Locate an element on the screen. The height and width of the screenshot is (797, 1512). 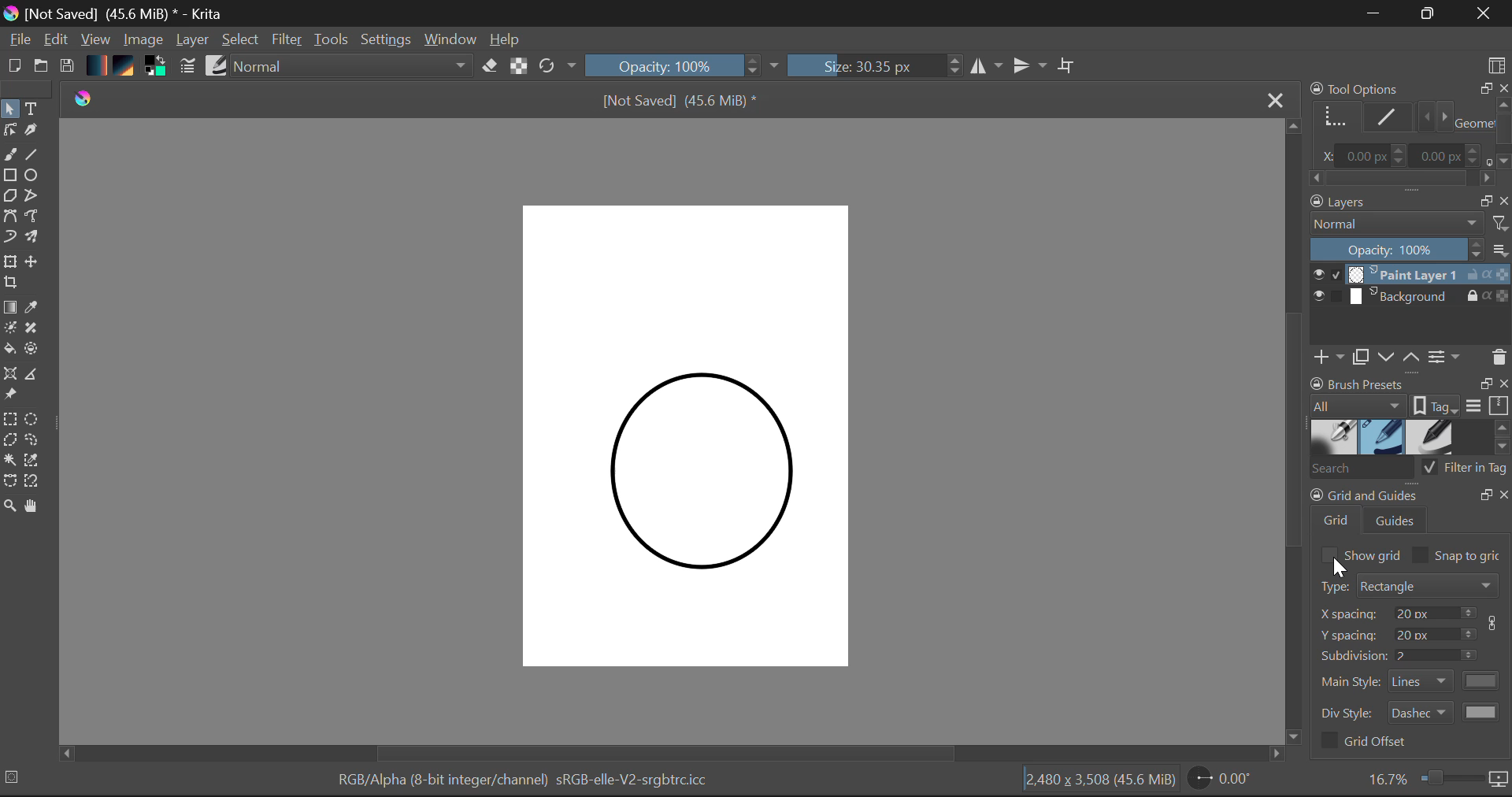
Open is located at coordinates (41, 67).